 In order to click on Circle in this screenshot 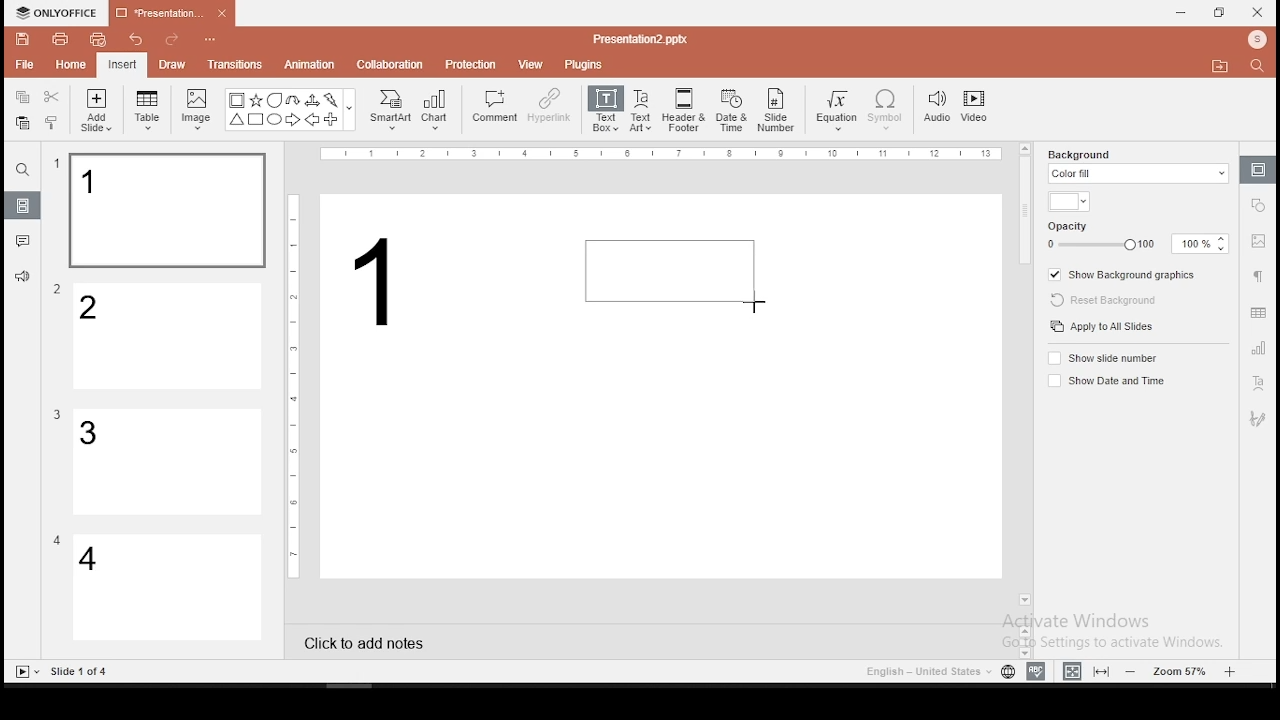, I will do `click(276, 119)`.